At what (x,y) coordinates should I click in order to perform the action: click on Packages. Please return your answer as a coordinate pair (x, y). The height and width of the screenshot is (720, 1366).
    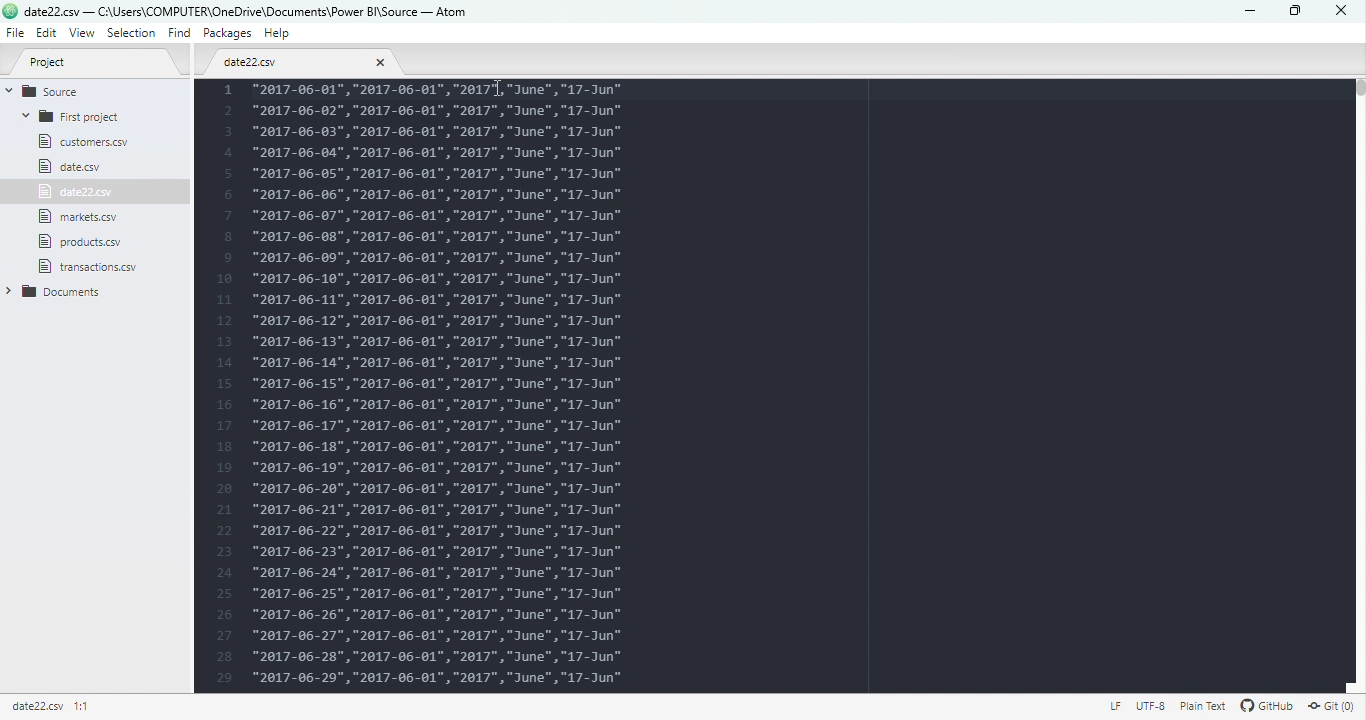
    Looking at the image, I should click on (230, 33).